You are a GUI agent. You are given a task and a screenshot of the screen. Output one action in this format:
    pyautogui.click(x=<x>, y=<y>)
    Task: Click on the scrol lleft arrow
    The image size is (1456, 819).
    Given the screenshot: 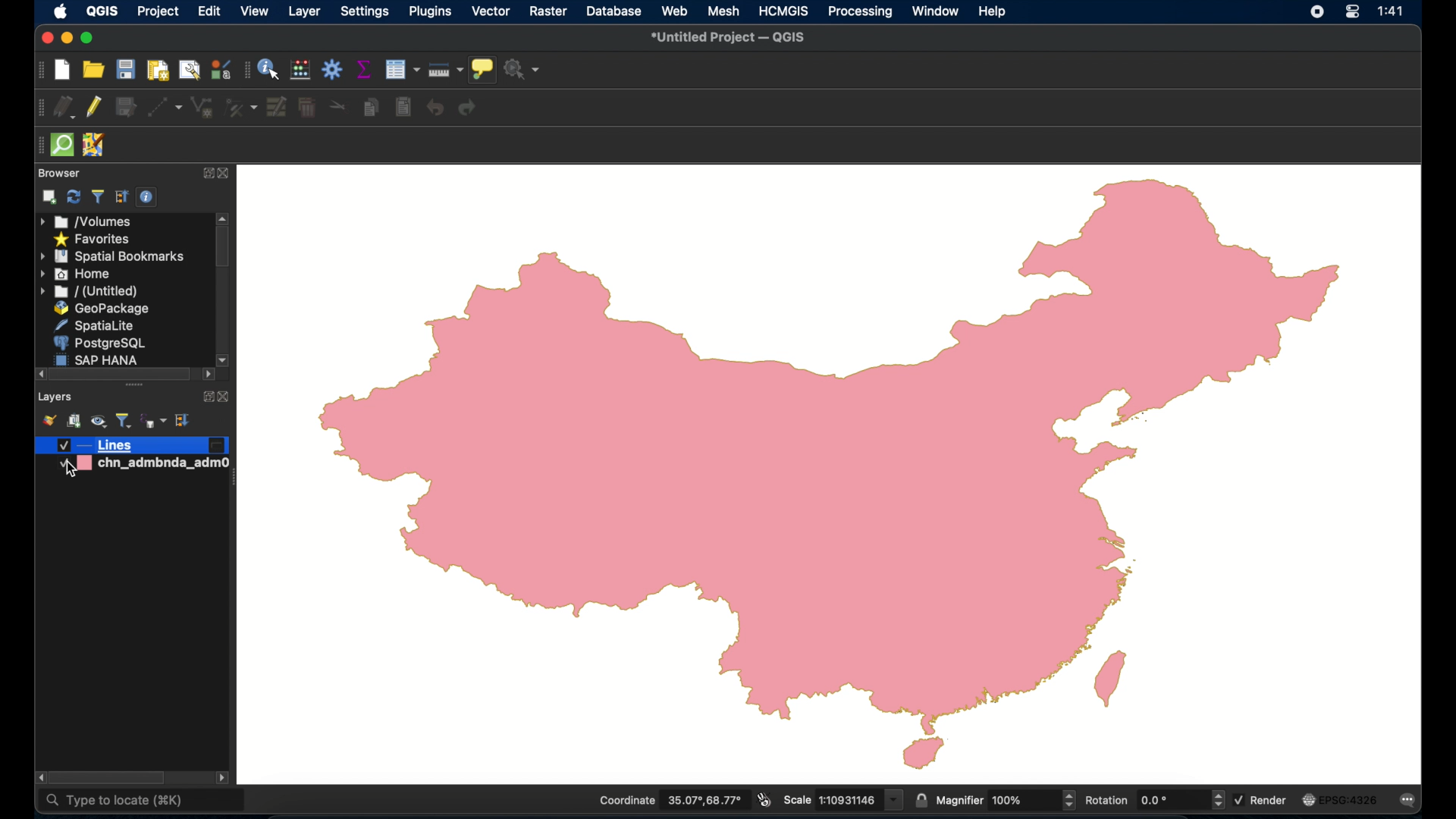 What is the action you would take?
    pyautogui.click(x=207, y=376)
    